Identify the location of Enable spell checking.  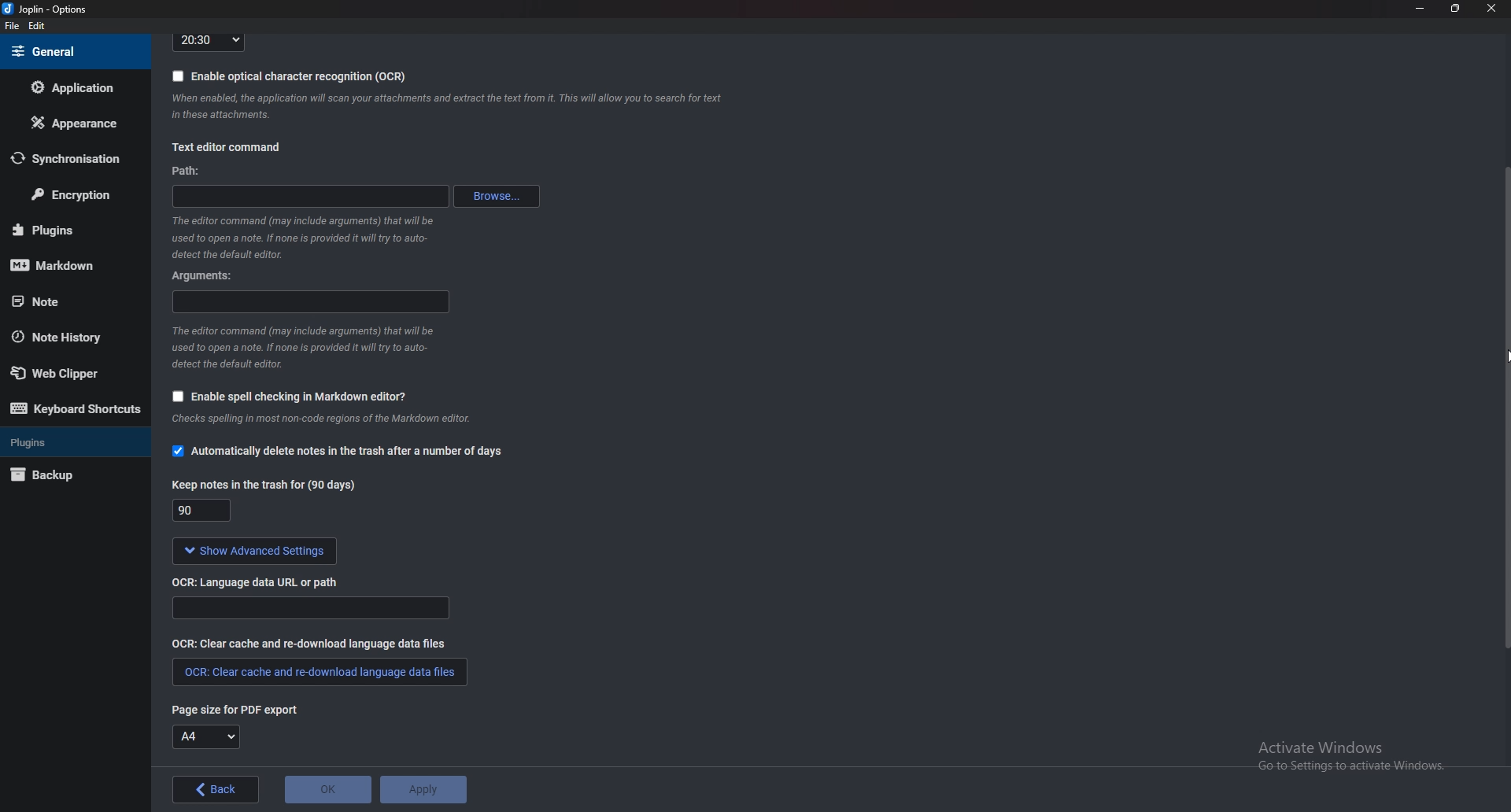
(285, 398).